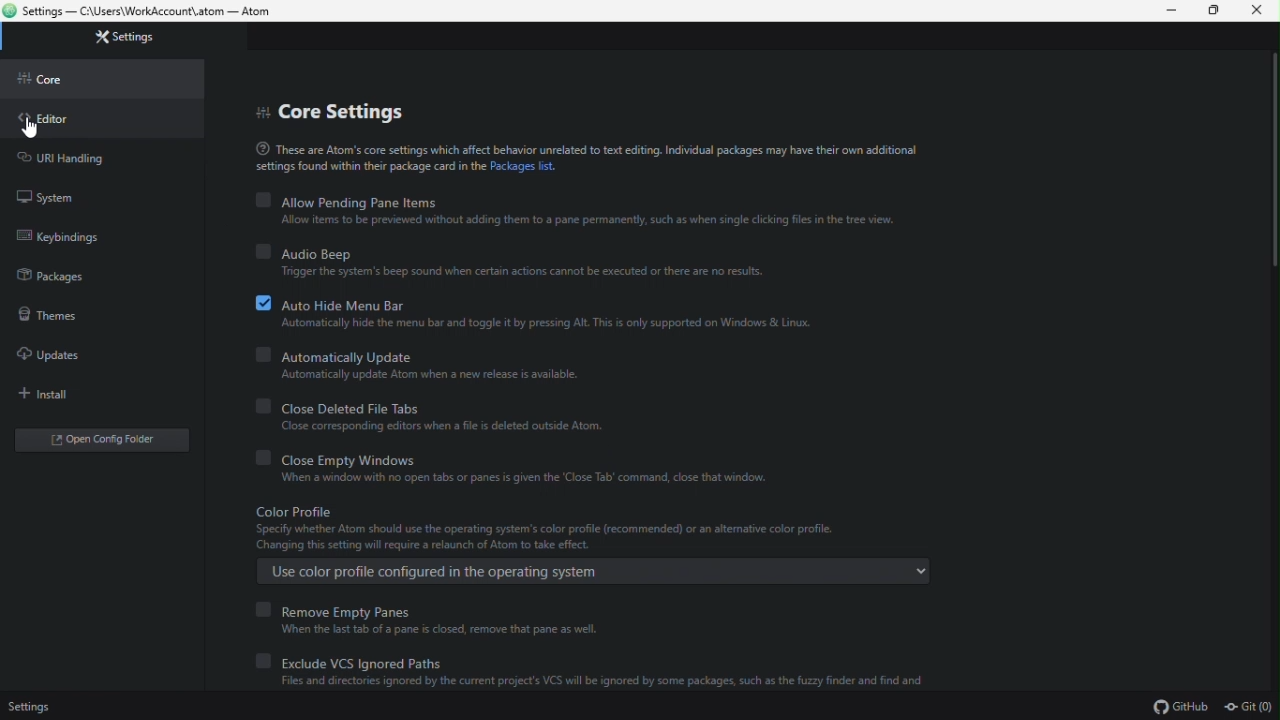  Describe the element at coordinates (590, 223) in the screenshot. I see `Allow items to be previewed without adding them to 3 pane permanently, such as when single clicking files in the tree view.` at that location.